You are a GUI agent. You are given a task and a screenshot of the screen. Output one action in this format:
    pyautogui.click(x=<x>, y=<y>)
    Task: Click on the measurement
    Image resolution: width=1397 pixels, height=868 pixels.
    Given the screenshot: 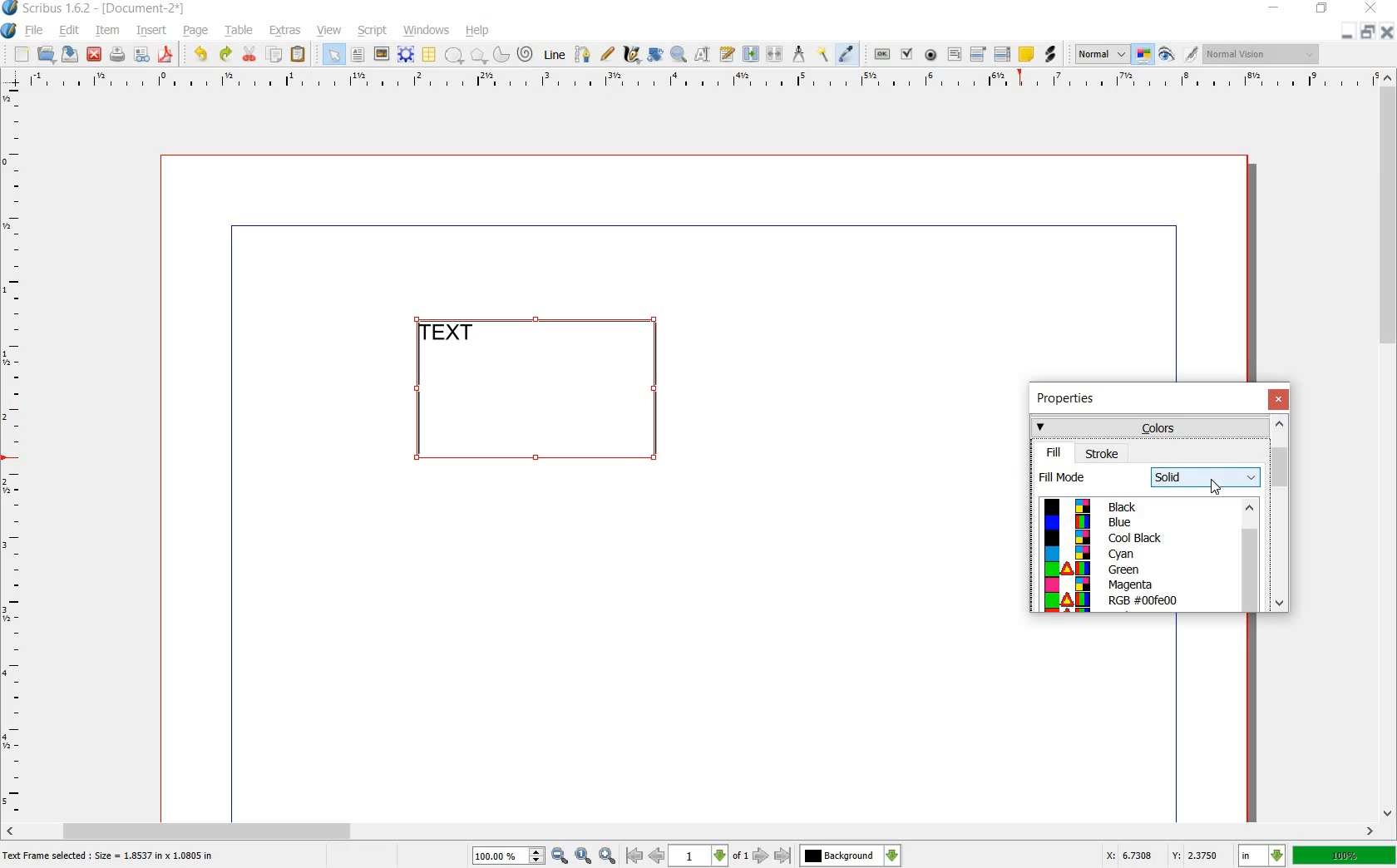 What is the action you would take?
    pyautogui.click(x=800, y=53)
    